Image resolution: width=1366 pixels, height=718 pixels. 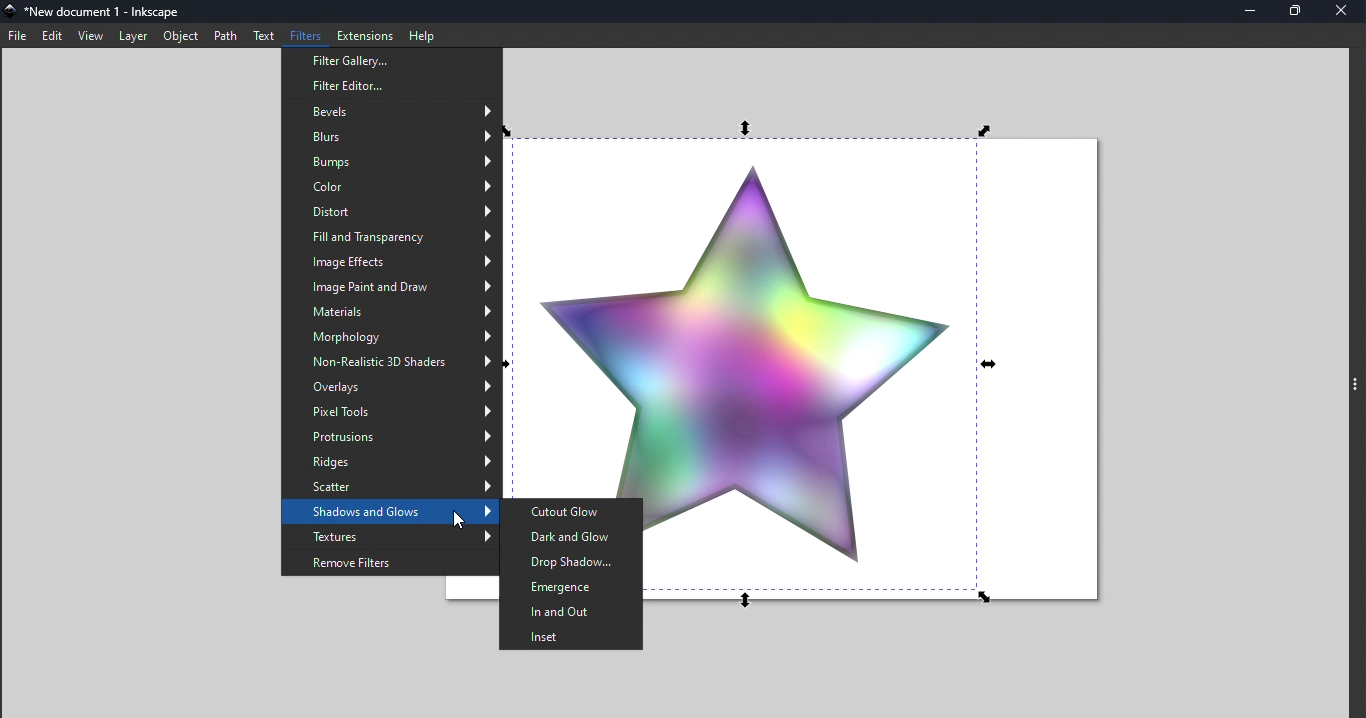 I want to click on Path, so click(x=228, y=37).